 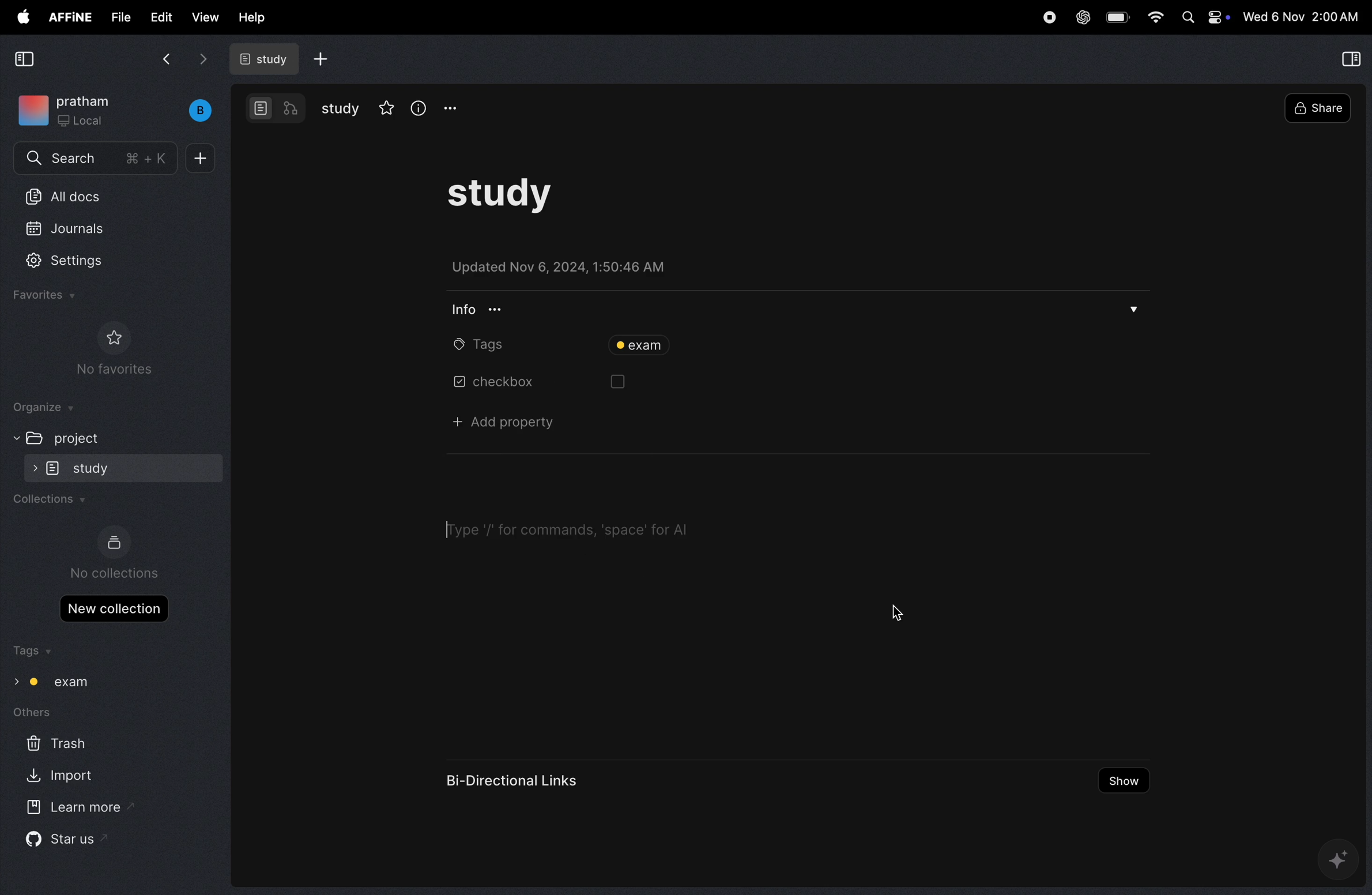 What do you see at coordinates (161, 17) in the screenshot?
I see `edit` at bounding box center [161, 17].